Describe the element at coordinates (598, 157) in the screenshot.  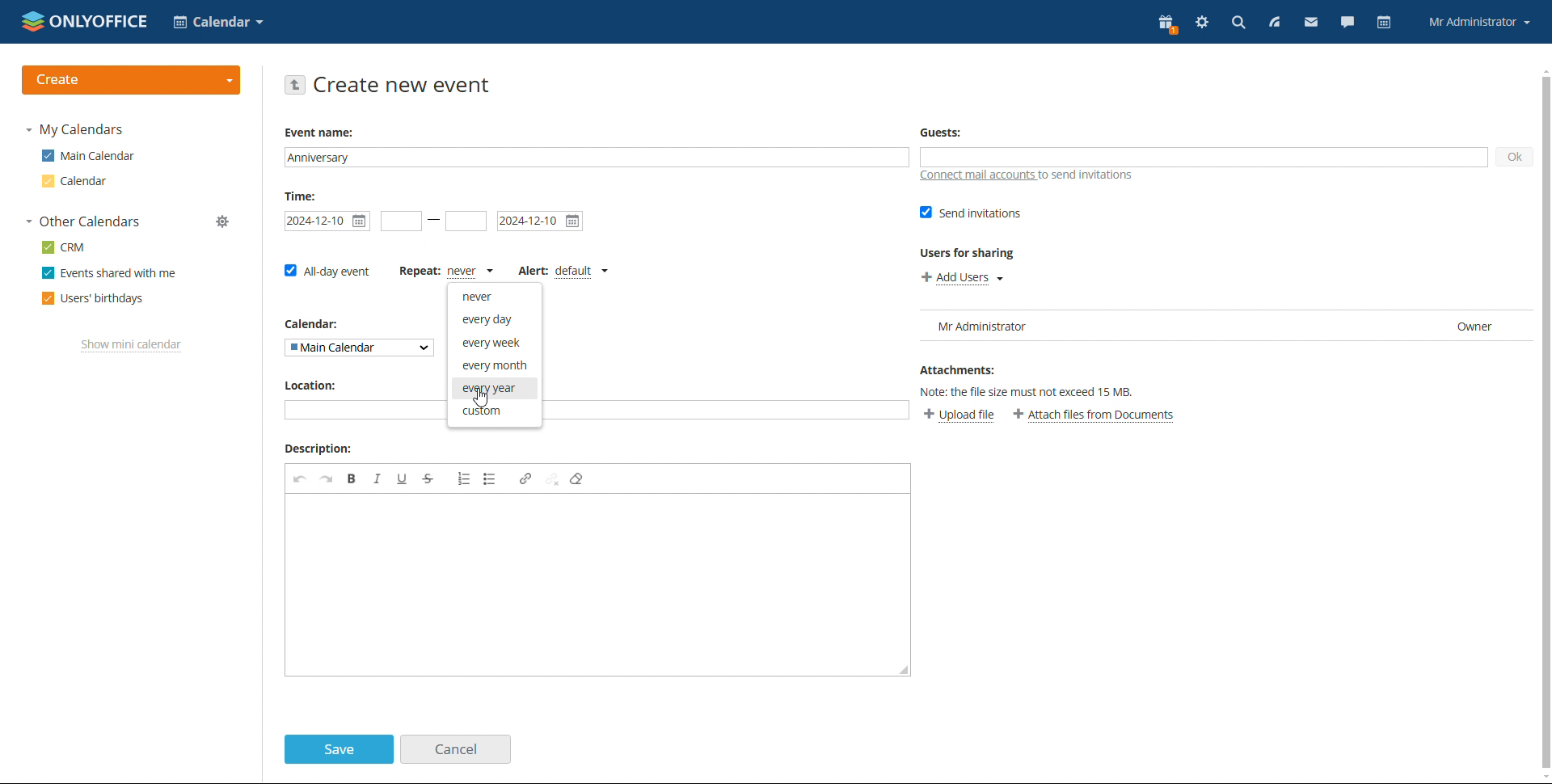
I see `event name added` at that location.